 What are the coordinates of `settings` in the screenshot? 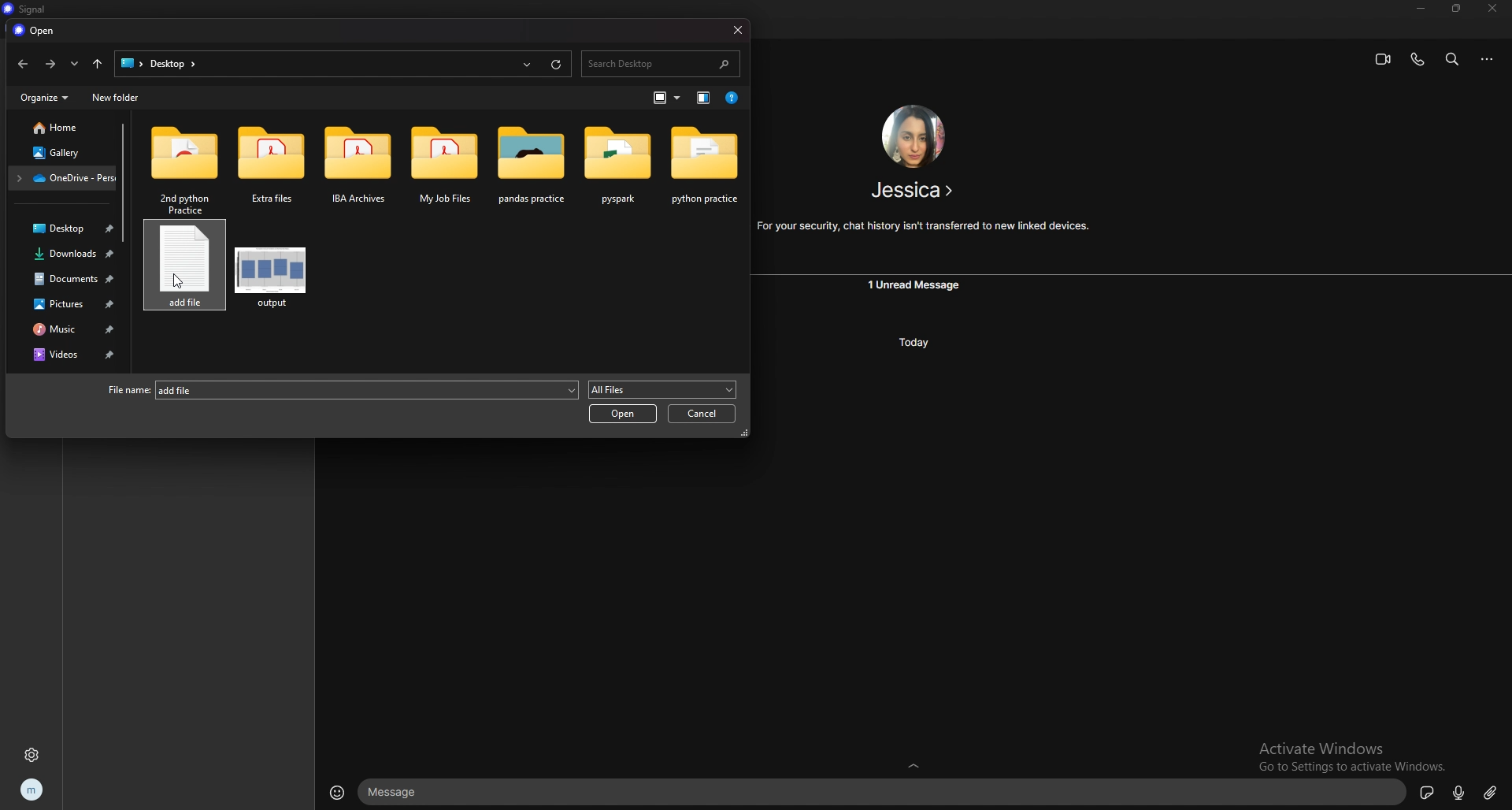 It's located at (31, 755).